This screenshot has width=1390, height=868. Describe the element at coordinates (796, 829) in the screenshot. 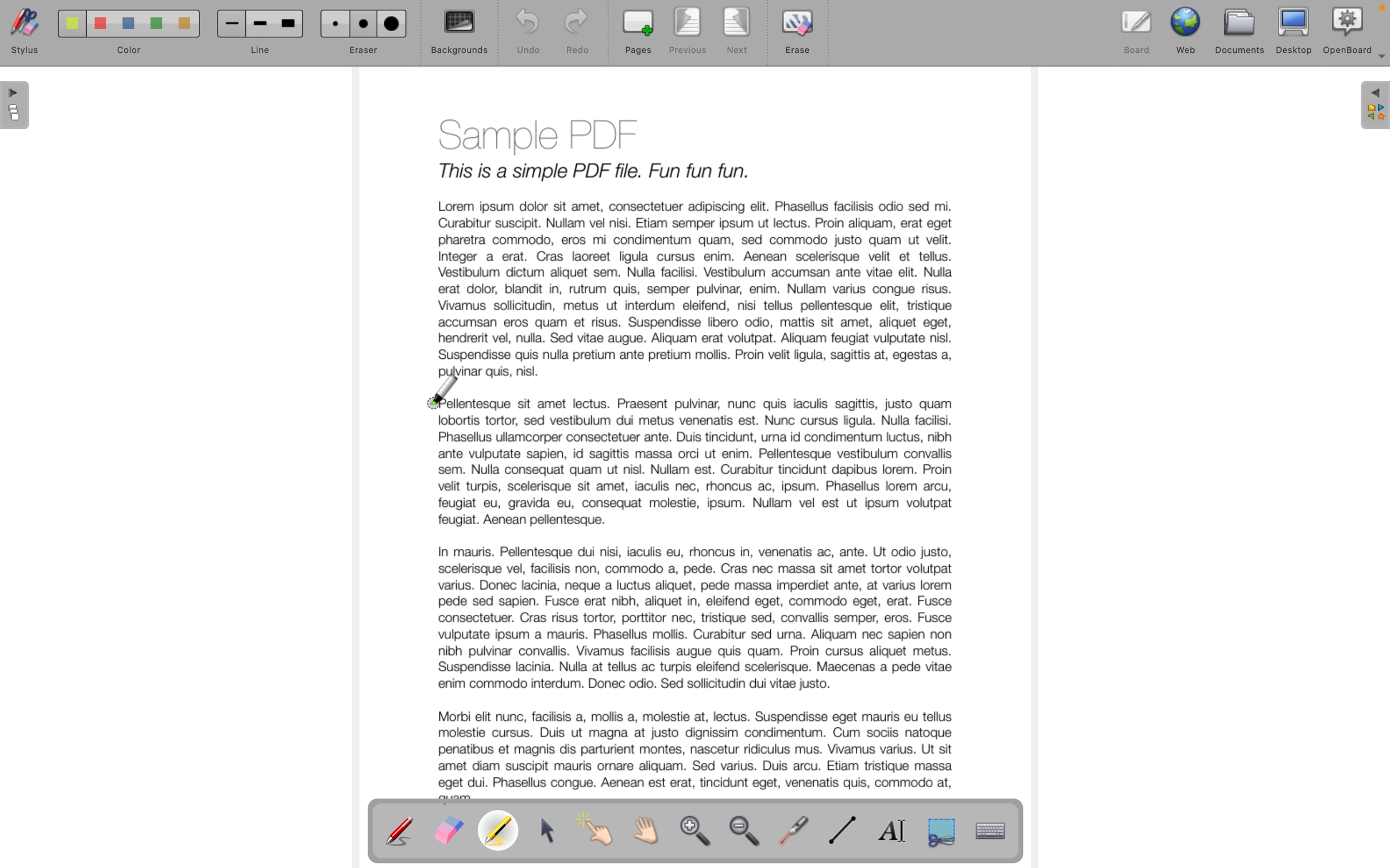

I see `virtual laser pointer` at that location.